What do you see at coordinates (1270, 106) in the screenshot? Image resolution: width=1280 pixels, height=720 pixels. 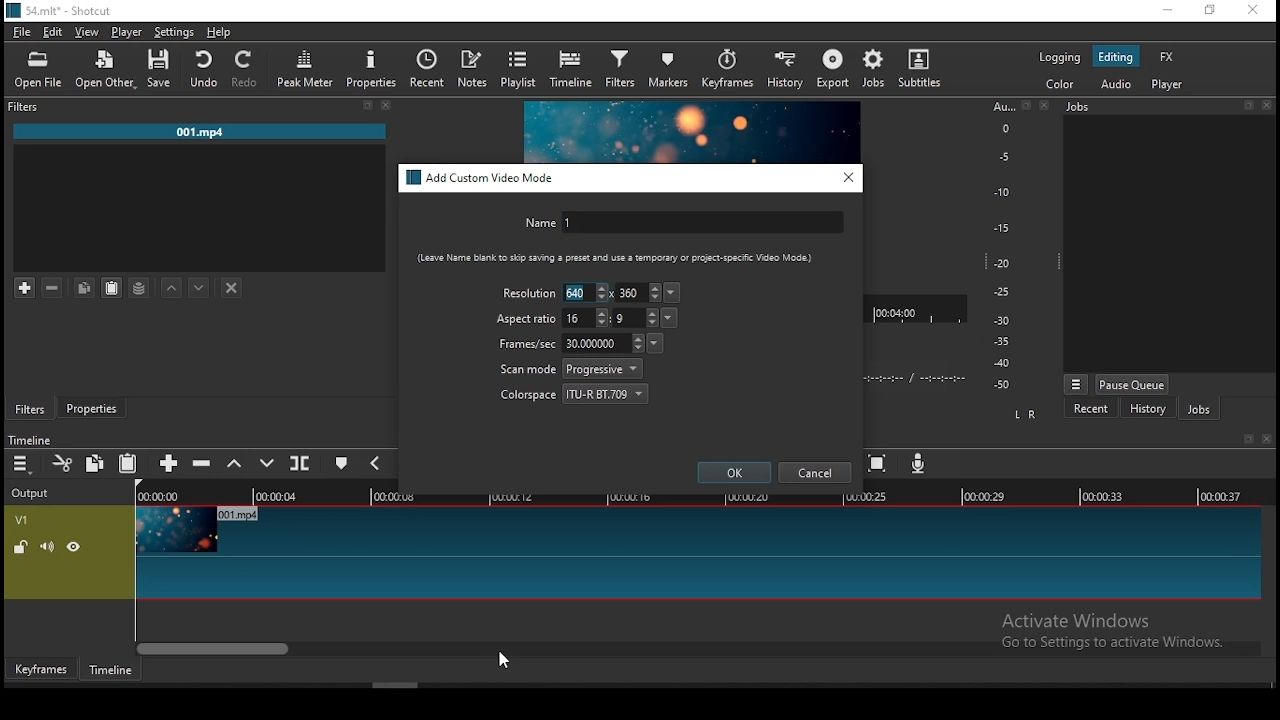 I see `close` at bounding box center [1270, 106].